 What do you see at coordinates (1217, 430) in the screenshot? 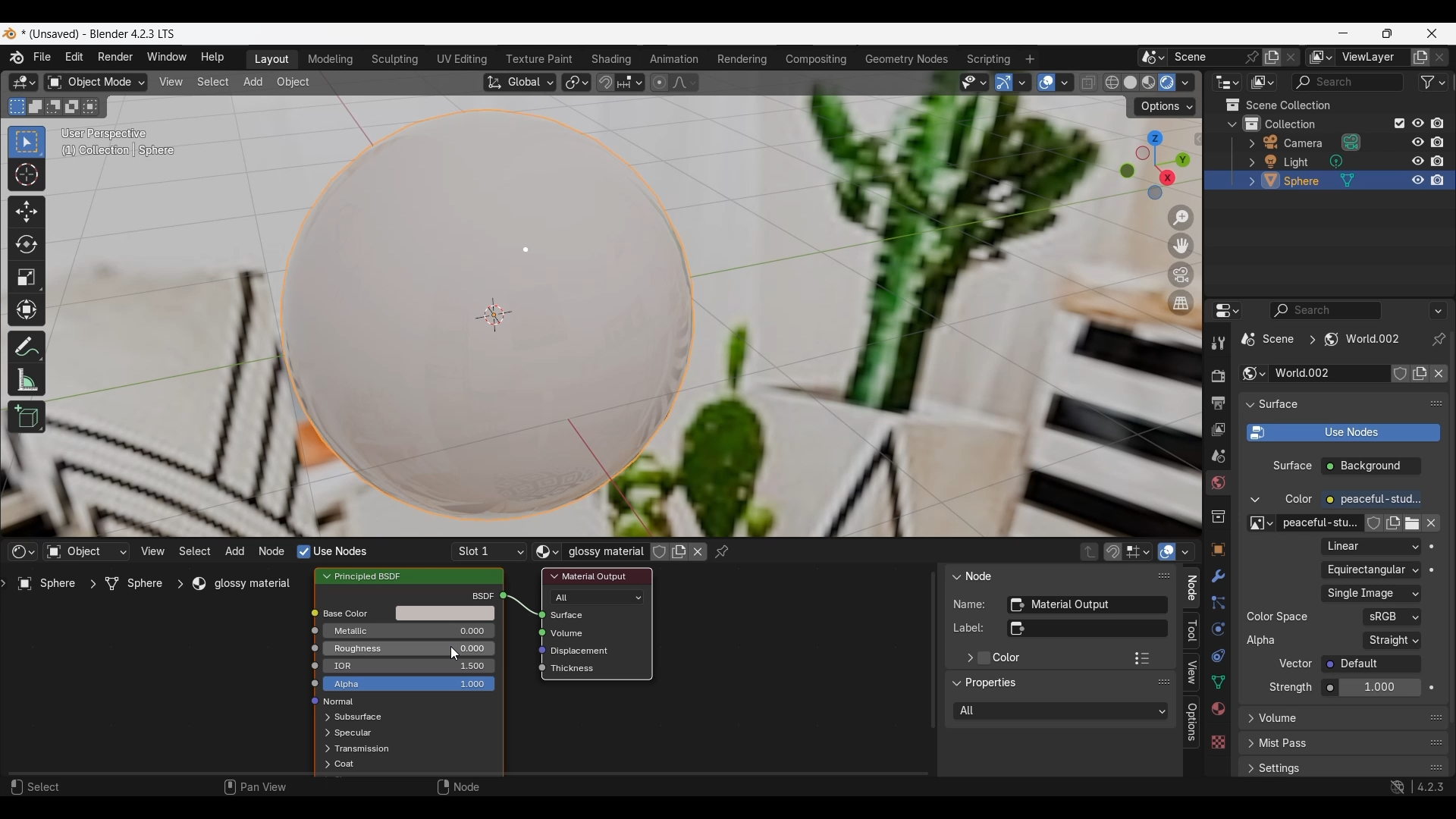
I see `View layer properties` at bounding box center [1217, 430].